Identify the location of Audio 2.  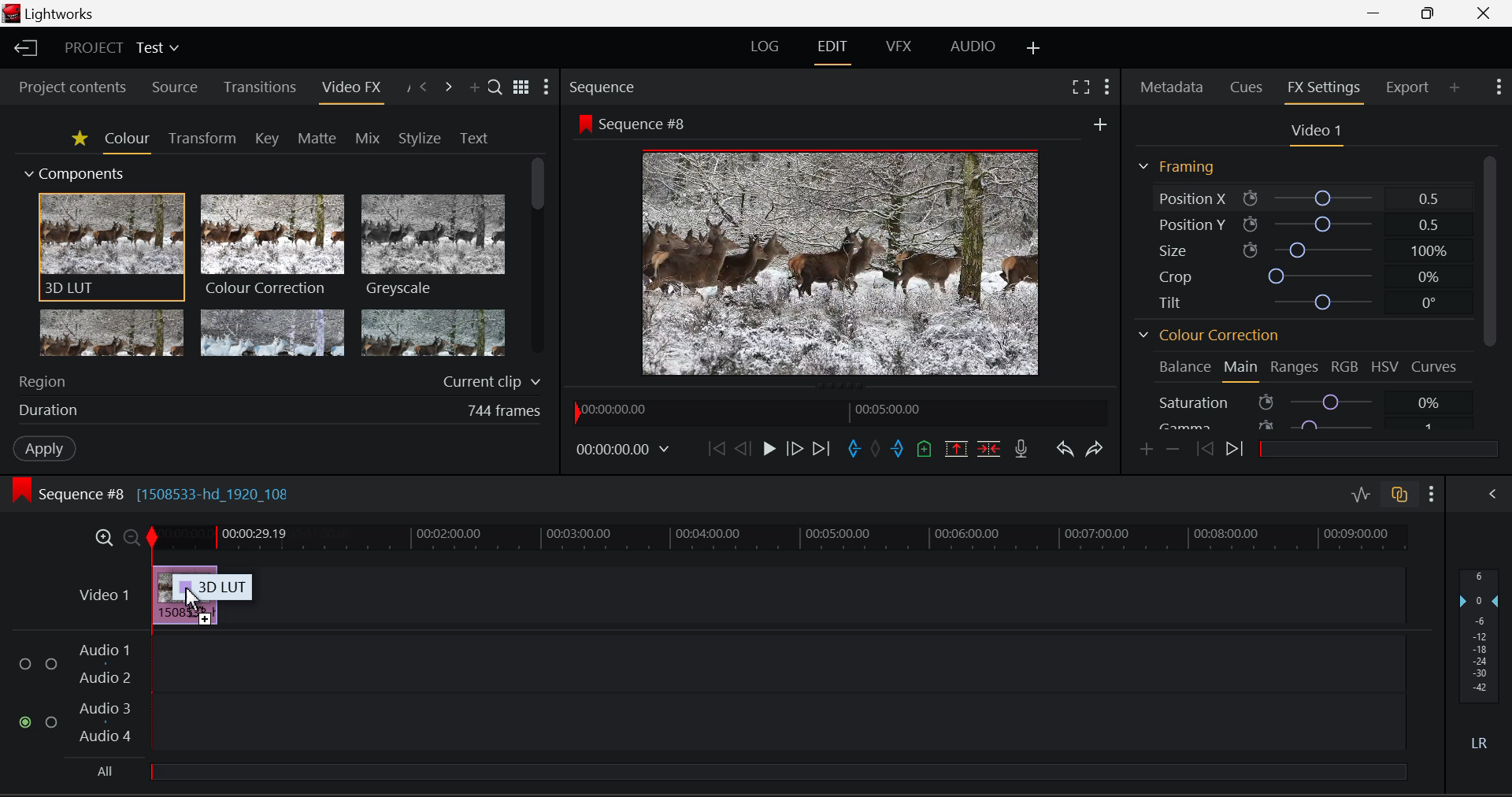
(107, 679).